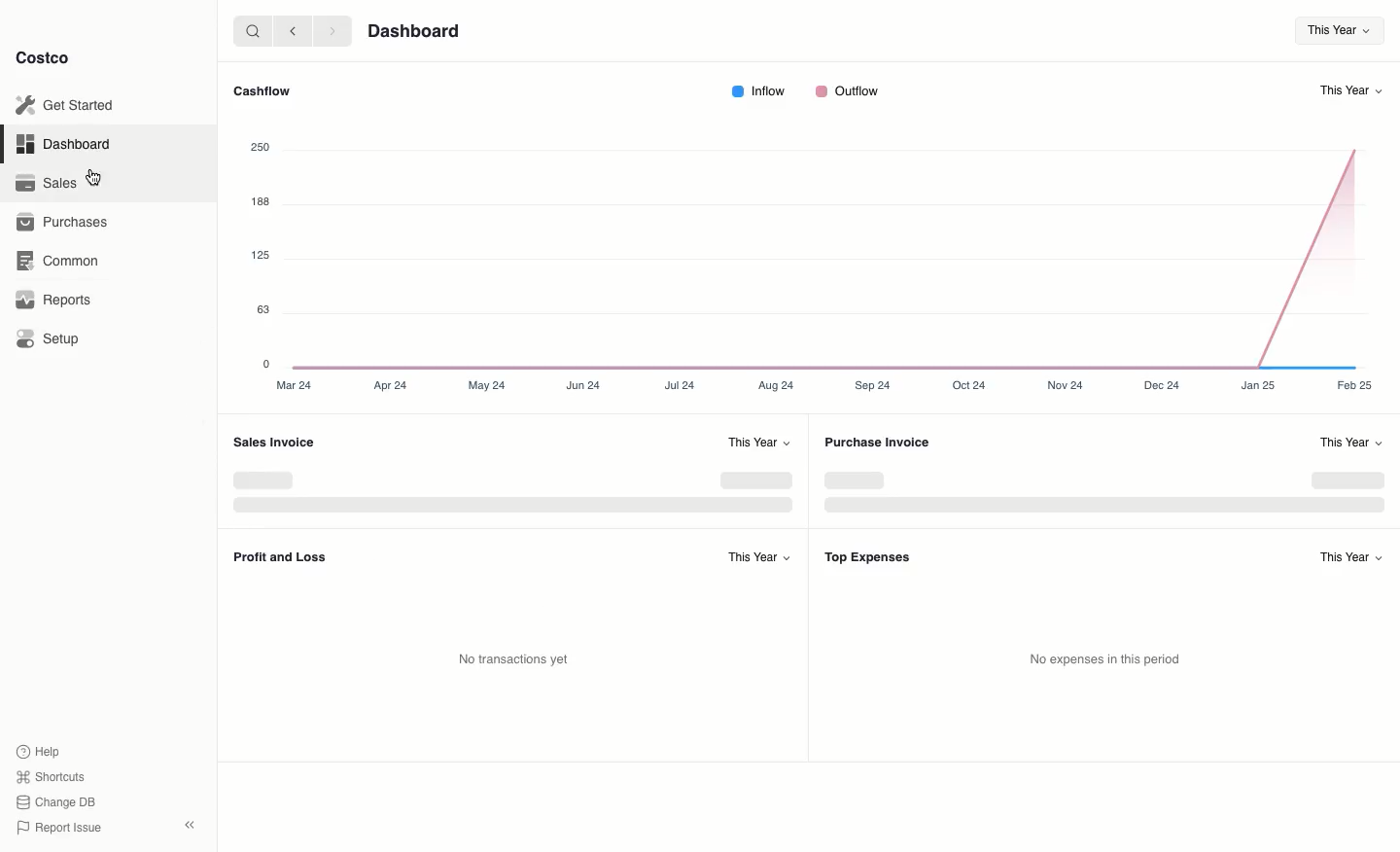  Describe the element at coordinates (872, 384) in the screenshot. I see `Sep24` at that location.